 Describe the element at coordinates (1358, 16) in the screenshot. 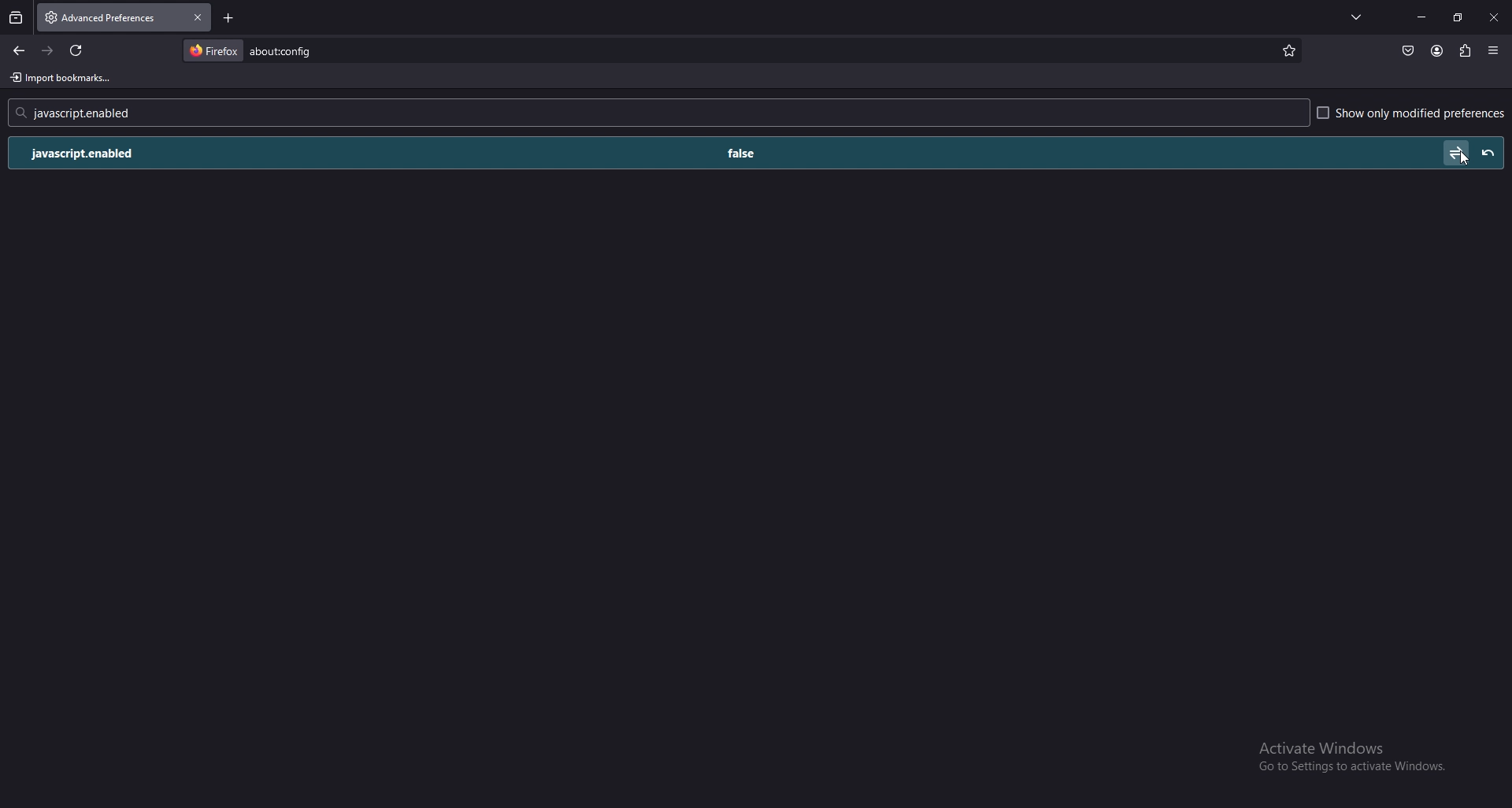

I see `list all tabs` at that location.